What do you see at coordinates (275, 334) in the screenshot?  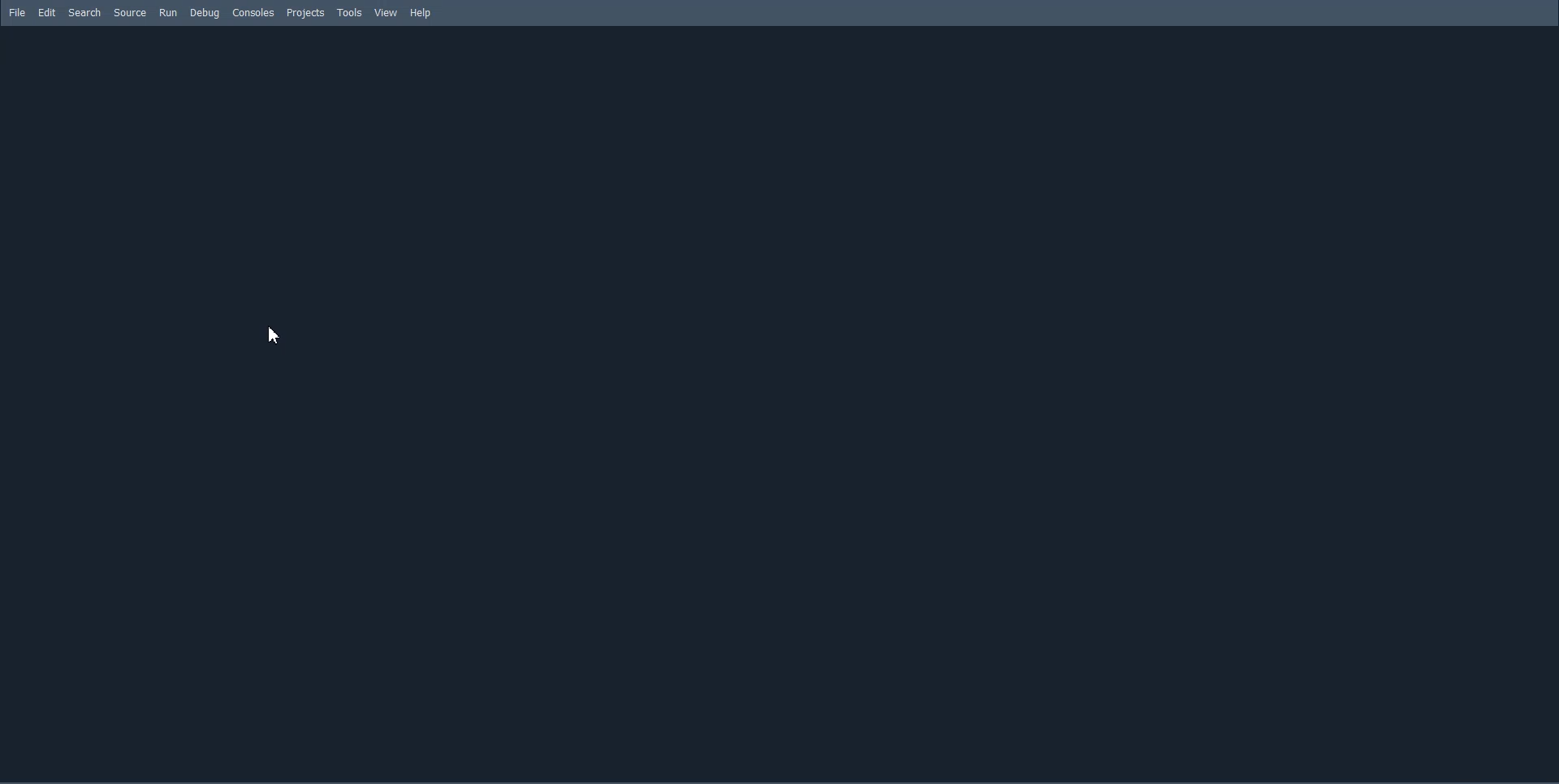 I see `Cursor` at bounding box center [275, 334].